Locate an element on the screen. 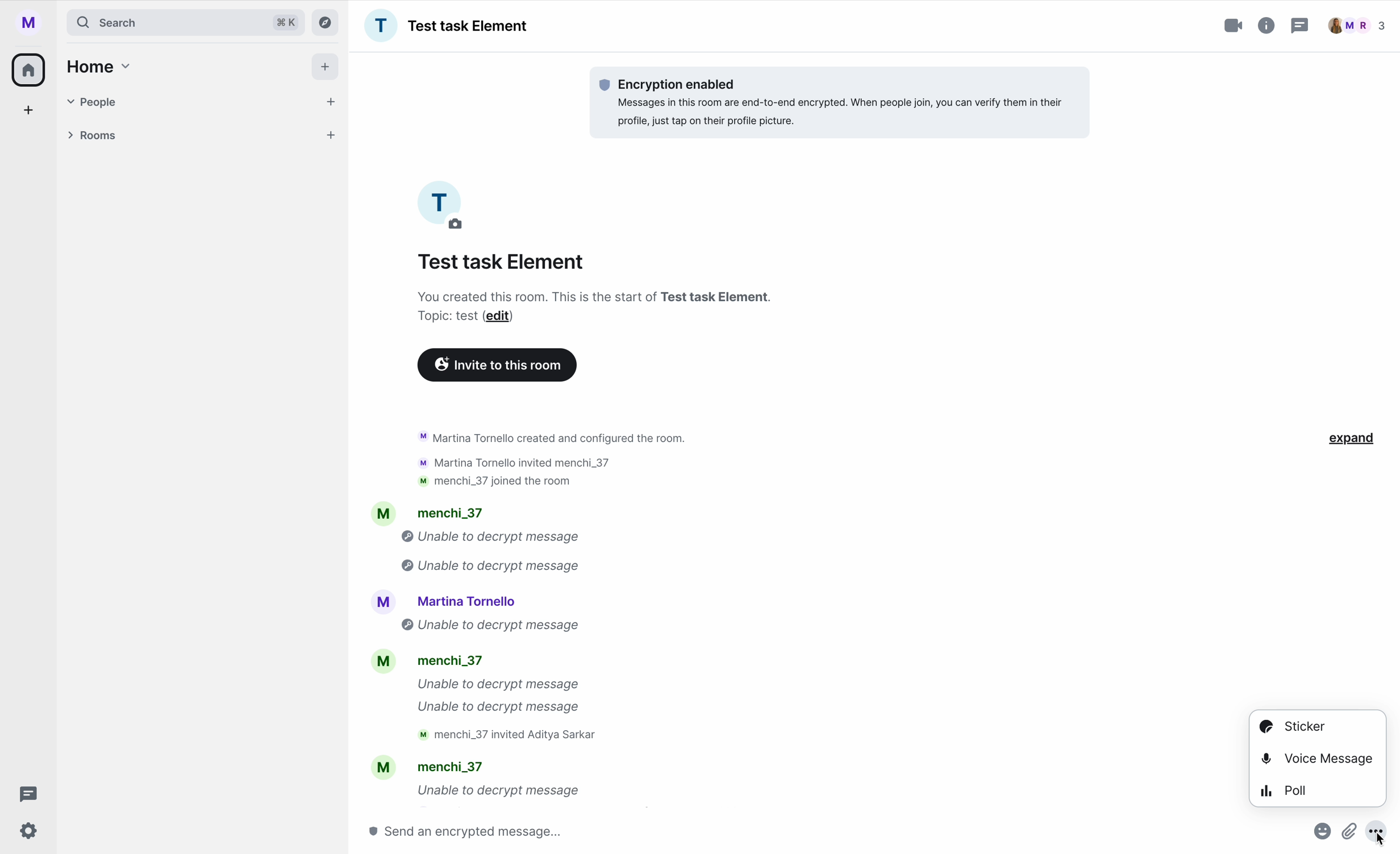  video call is located at coordinates (1235, 26).